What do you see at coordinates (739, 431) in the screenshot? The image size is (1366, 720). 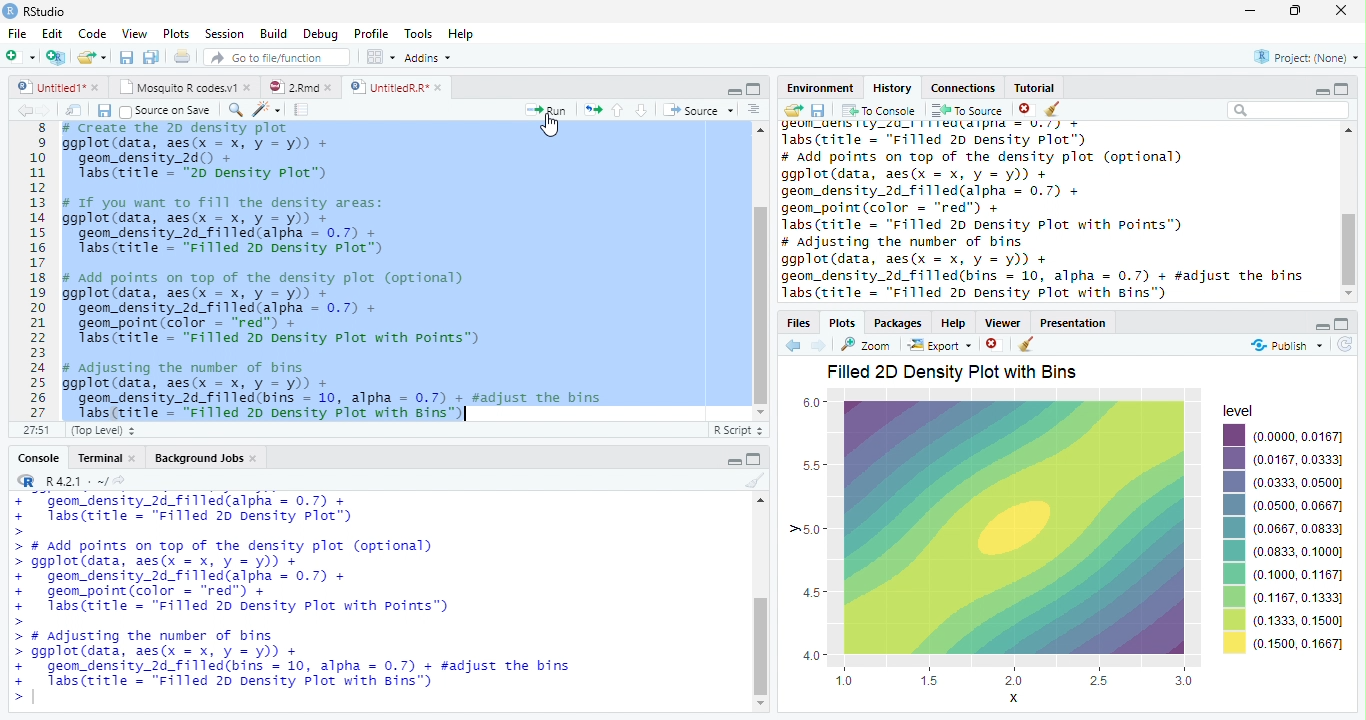 I see `R Script` at bounding box center [739, 431].